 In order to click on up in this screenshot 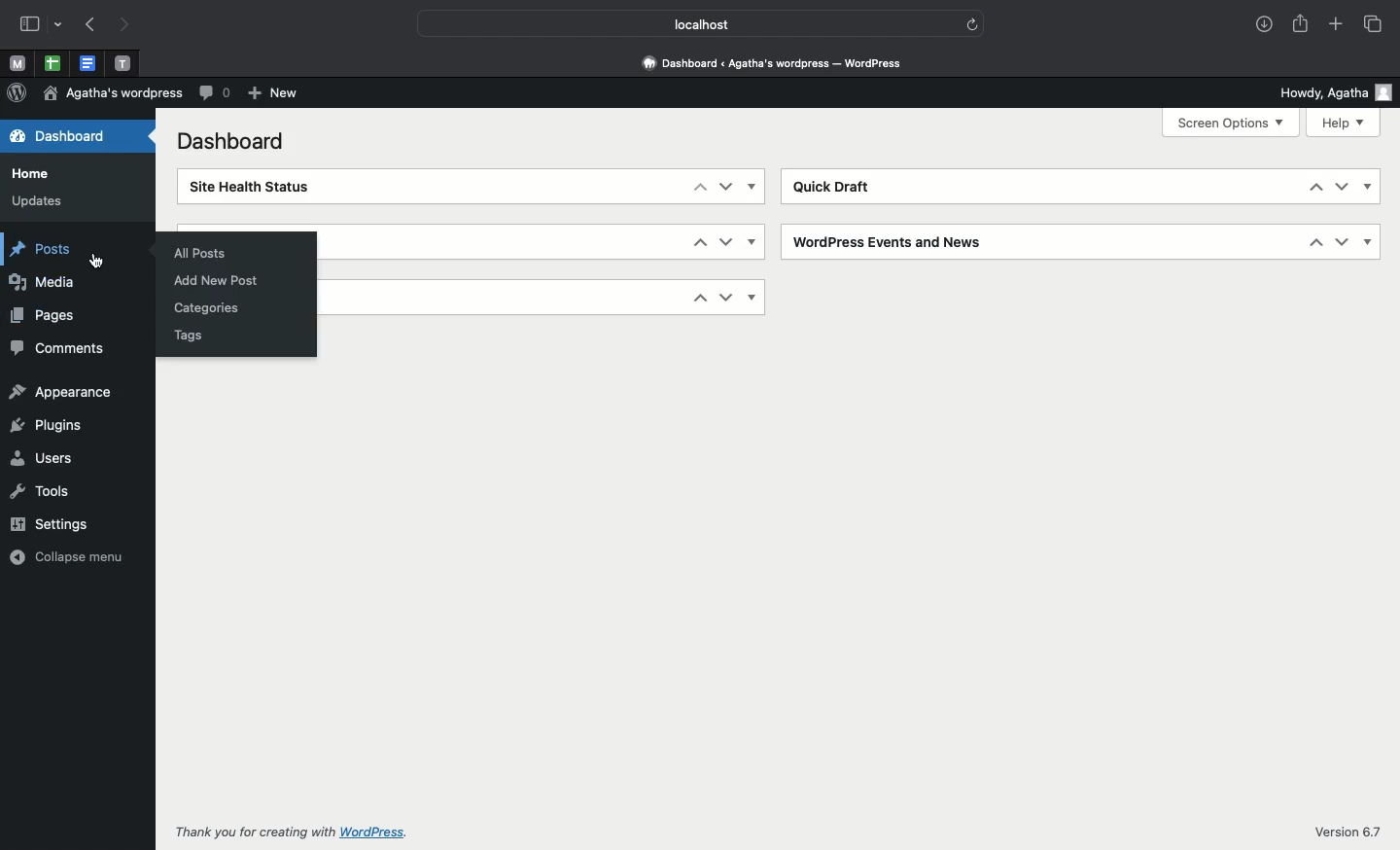, I will do `click(696, 190)`.